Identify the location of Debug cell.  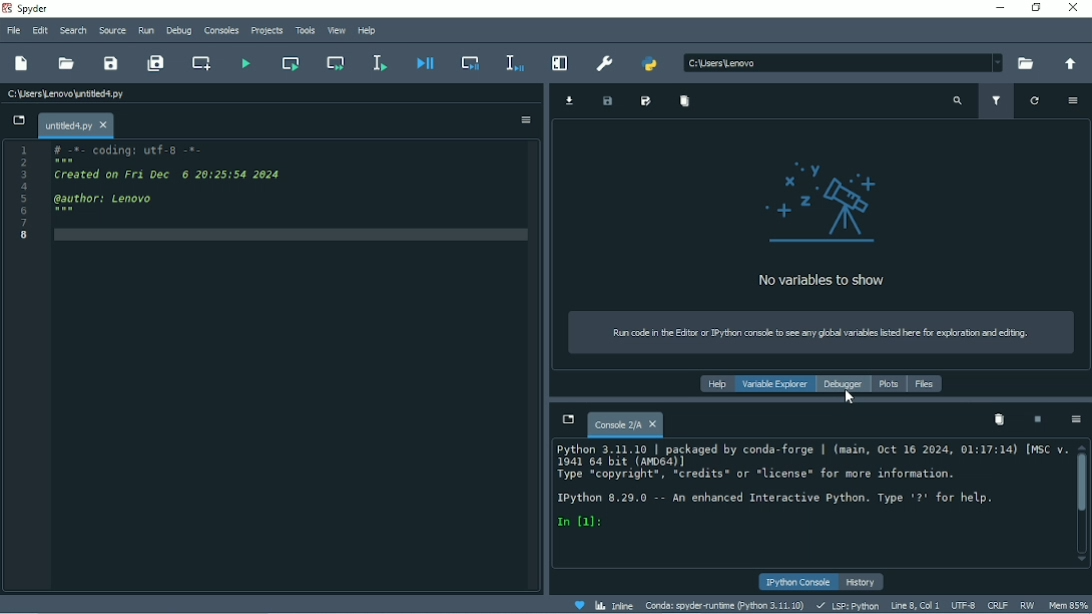
(469, 63).